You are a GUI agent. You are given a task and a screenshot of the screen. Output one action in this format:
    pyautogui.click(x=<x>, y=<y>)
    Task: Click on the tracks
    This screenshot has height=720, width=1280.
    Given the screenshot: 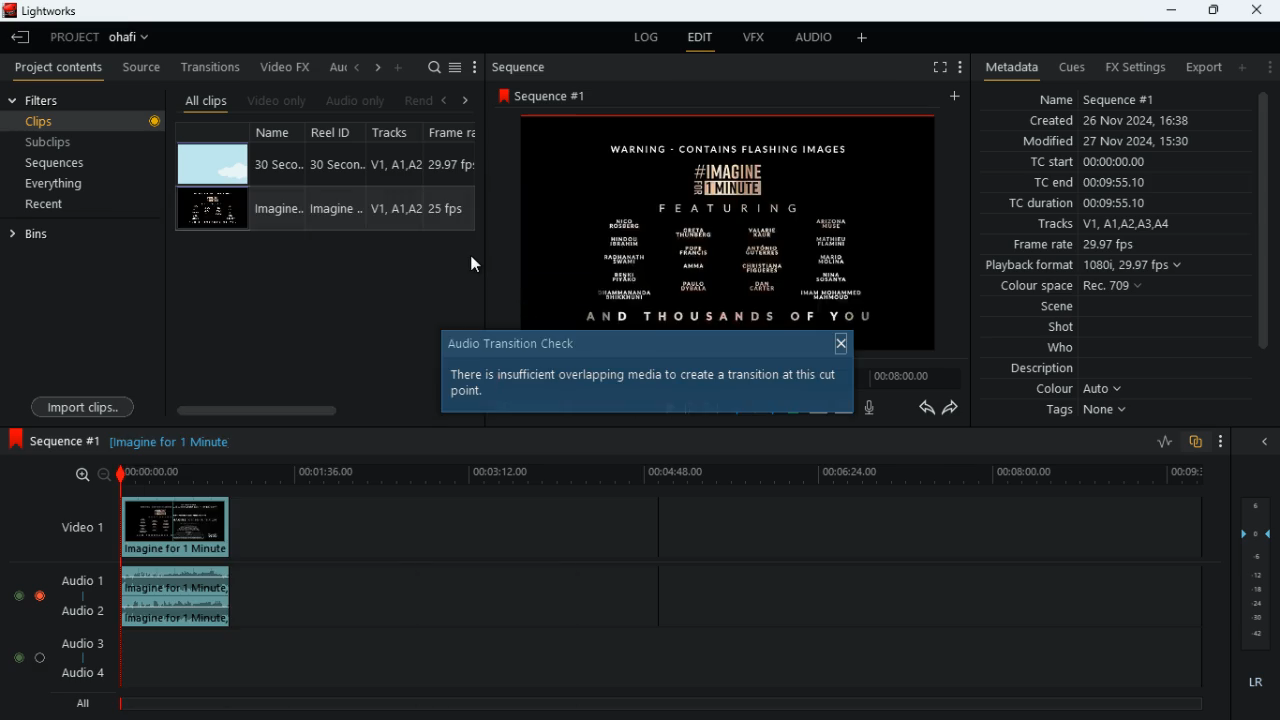 What is the action you would take?
    pyautogui.click(x=1102, y=225)
    